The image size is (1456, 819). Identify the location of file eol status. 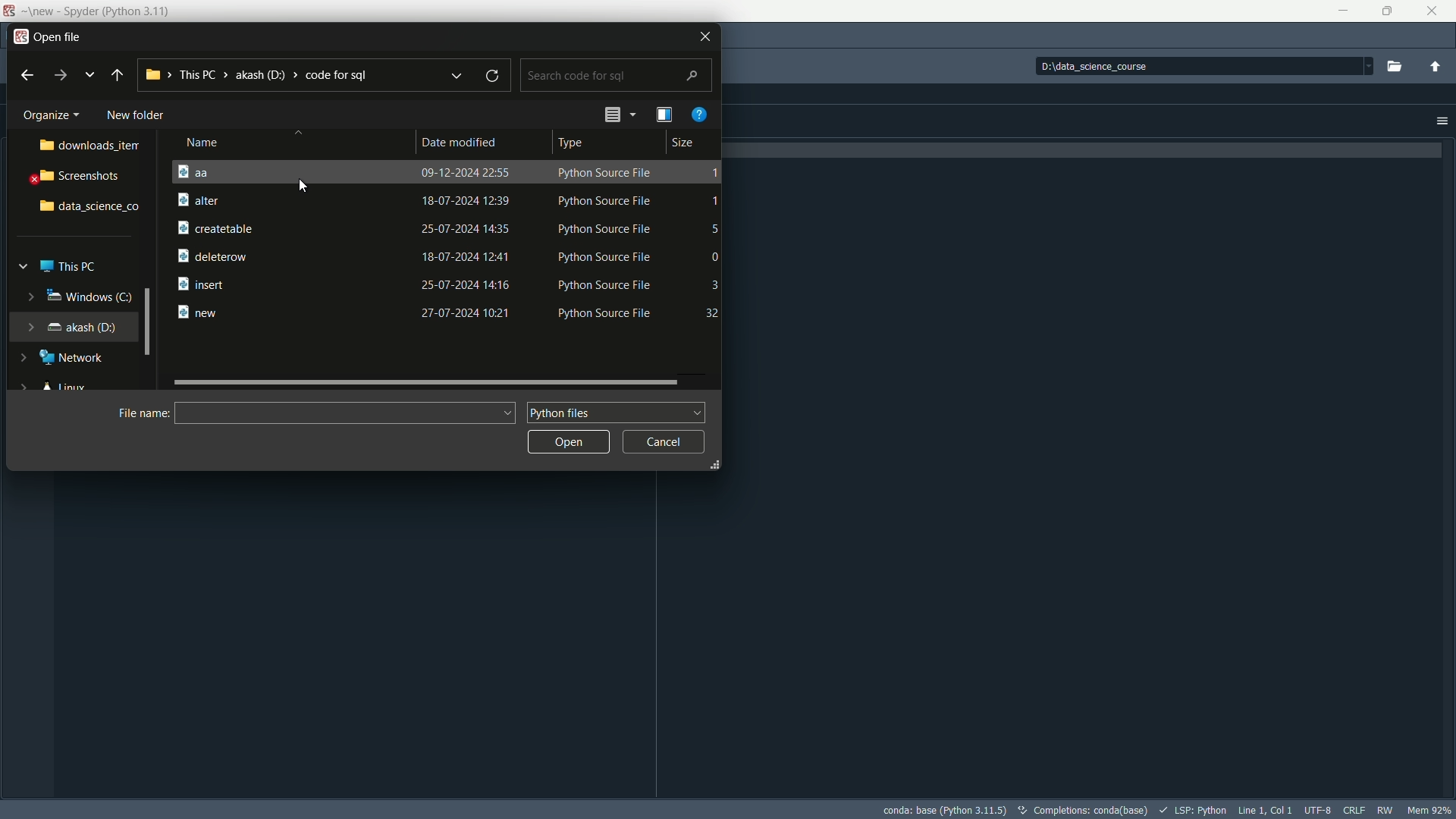
(1351, 809).